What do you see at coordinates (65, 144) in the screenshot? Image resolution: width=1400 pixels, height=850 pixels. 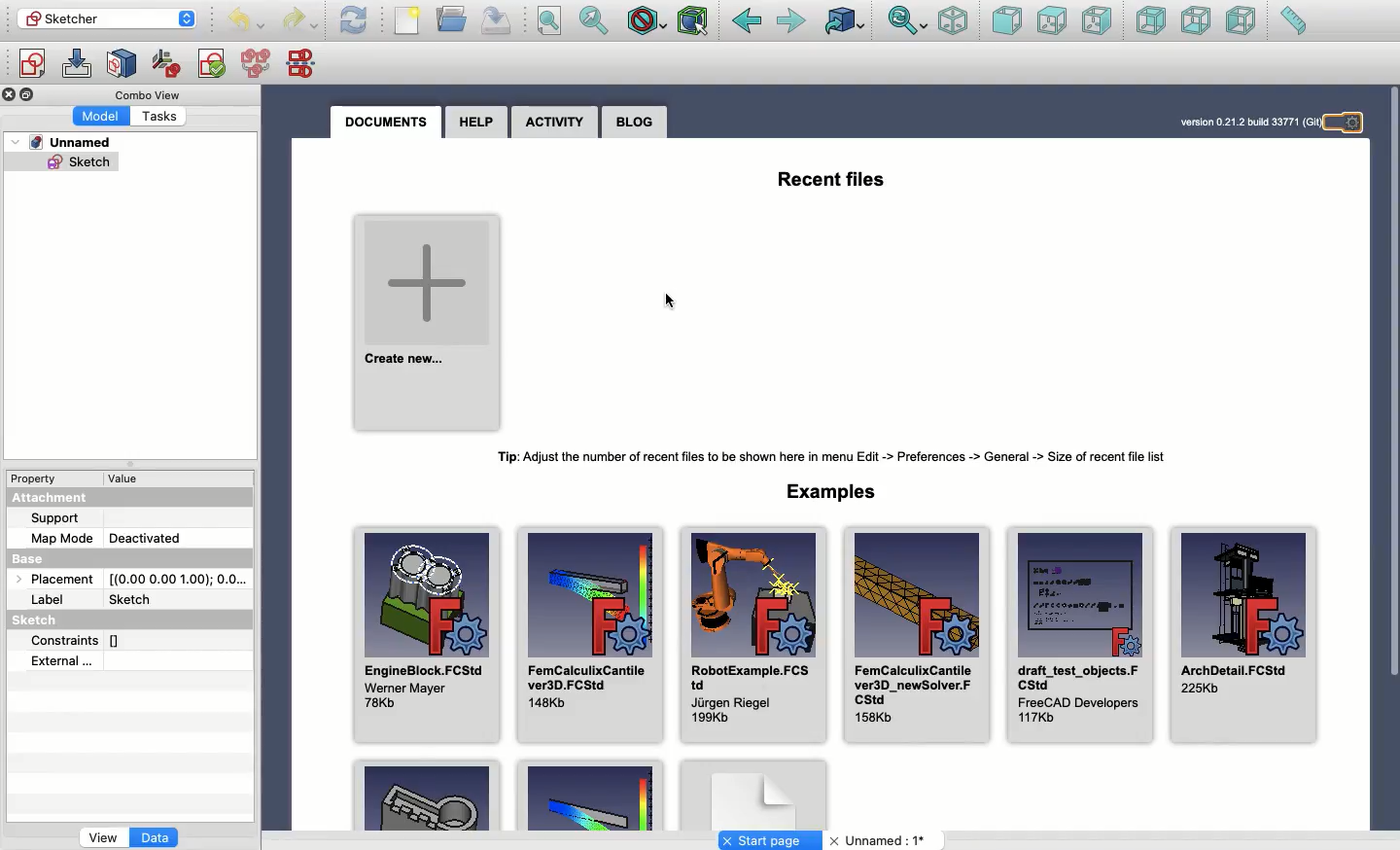 I see `Unnamed` at bounding box center [65, 144].